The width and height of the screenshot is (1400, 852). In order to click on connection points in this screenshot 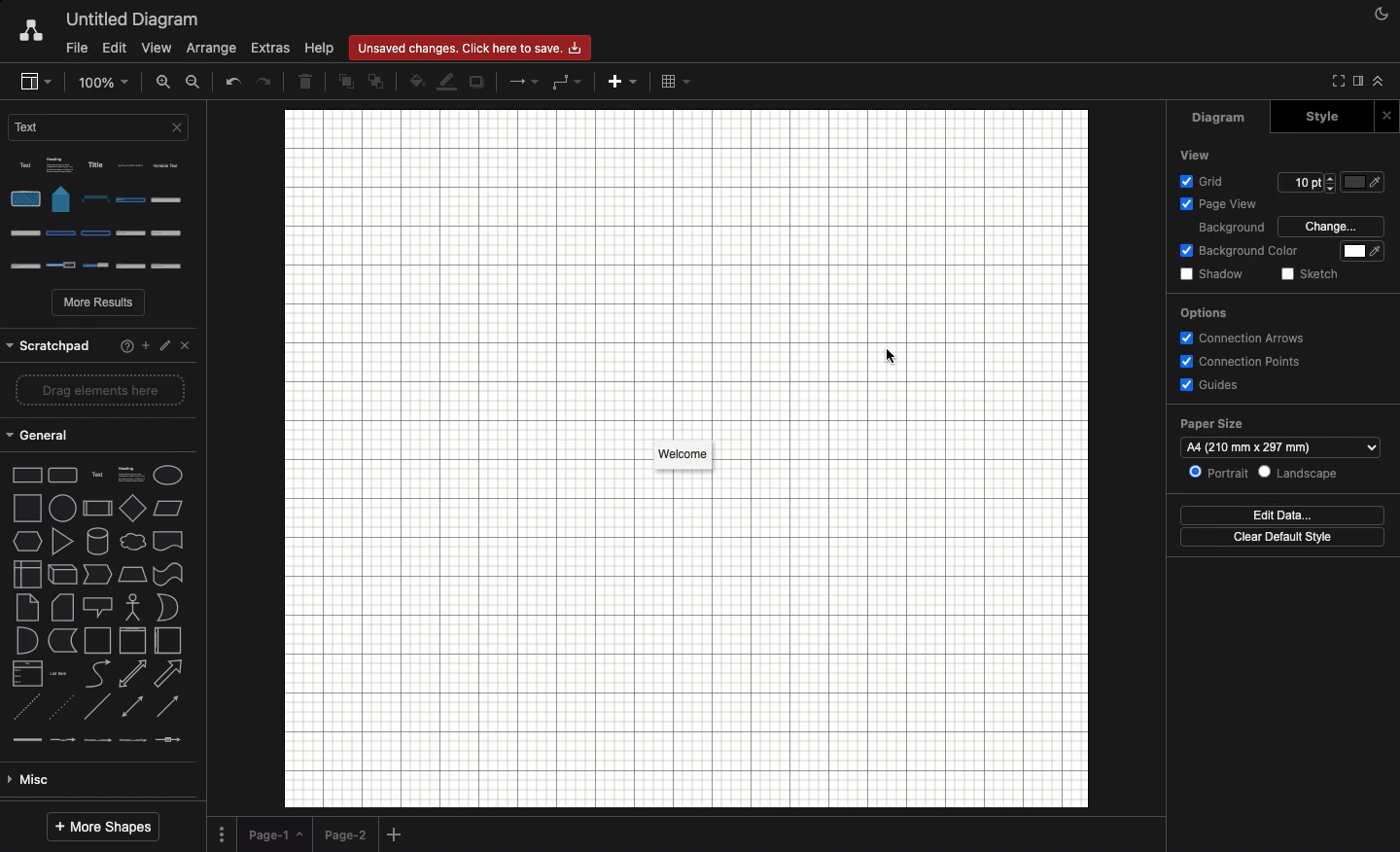, I will do `click(1261, 359)`.